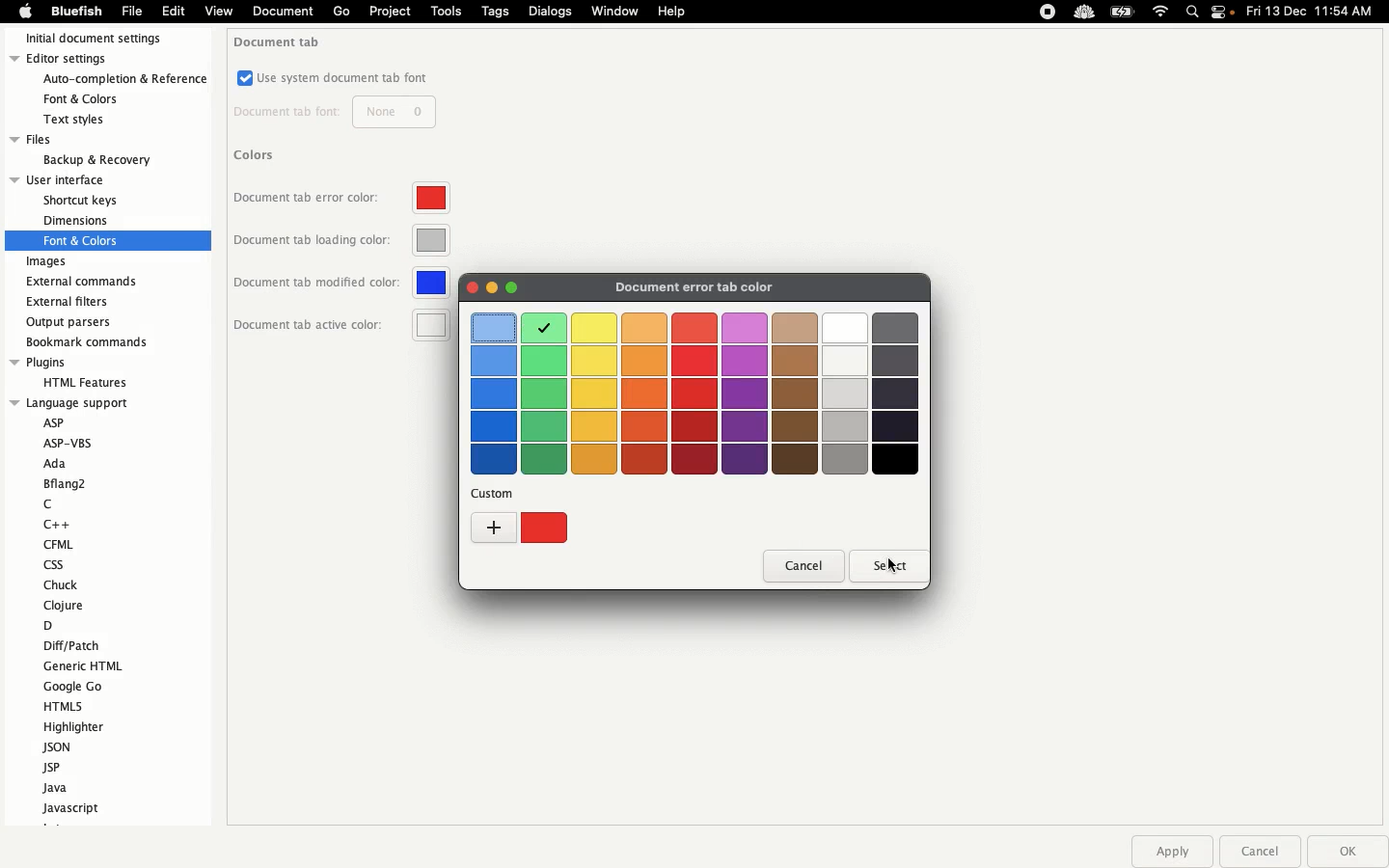 Image resolution: width=1389 pixels, height=868 pixels. I want to click on Document tab error color, so click(341, 203).